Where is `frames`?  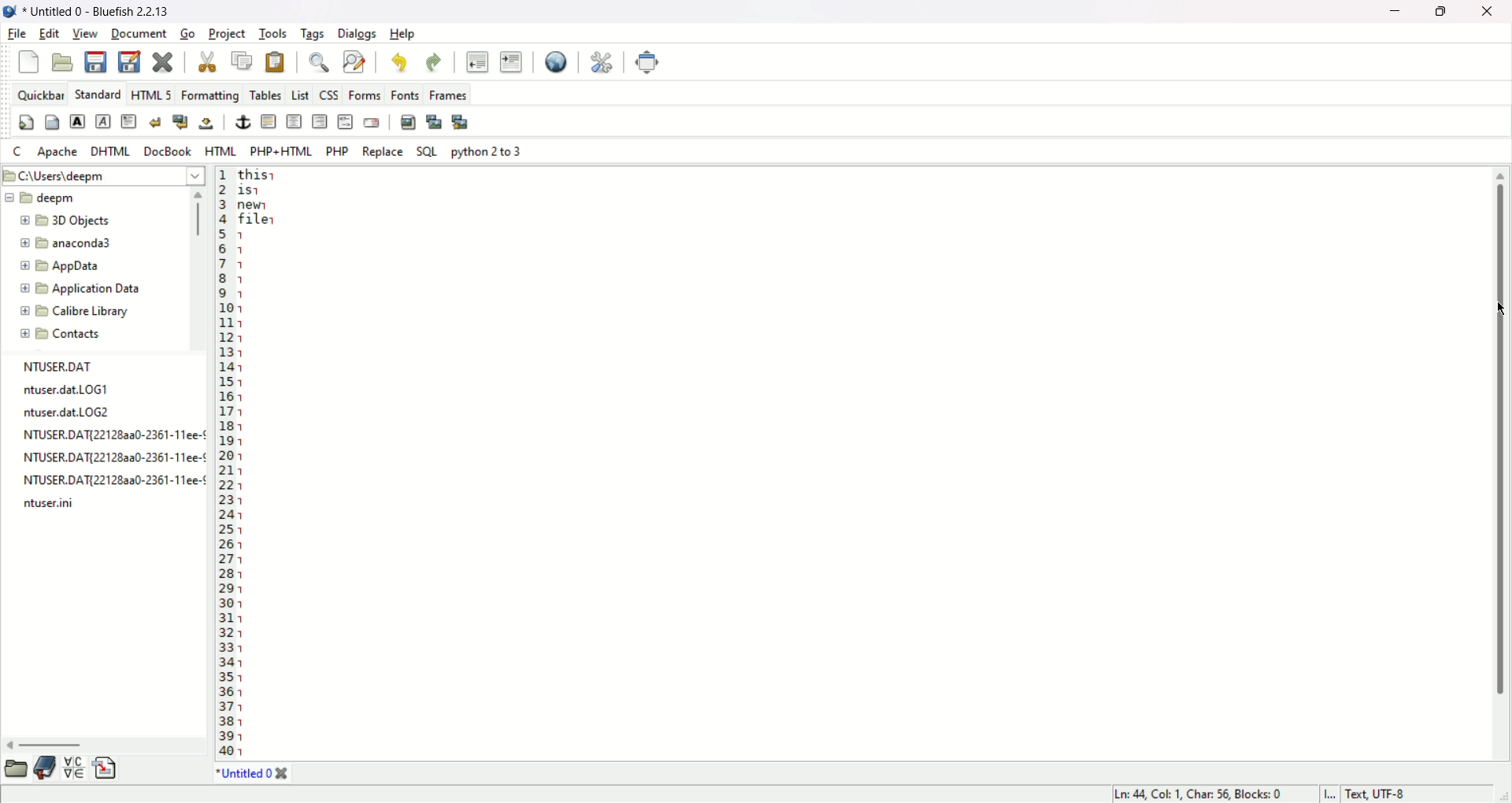 frames is located at coordinates (447, 94).